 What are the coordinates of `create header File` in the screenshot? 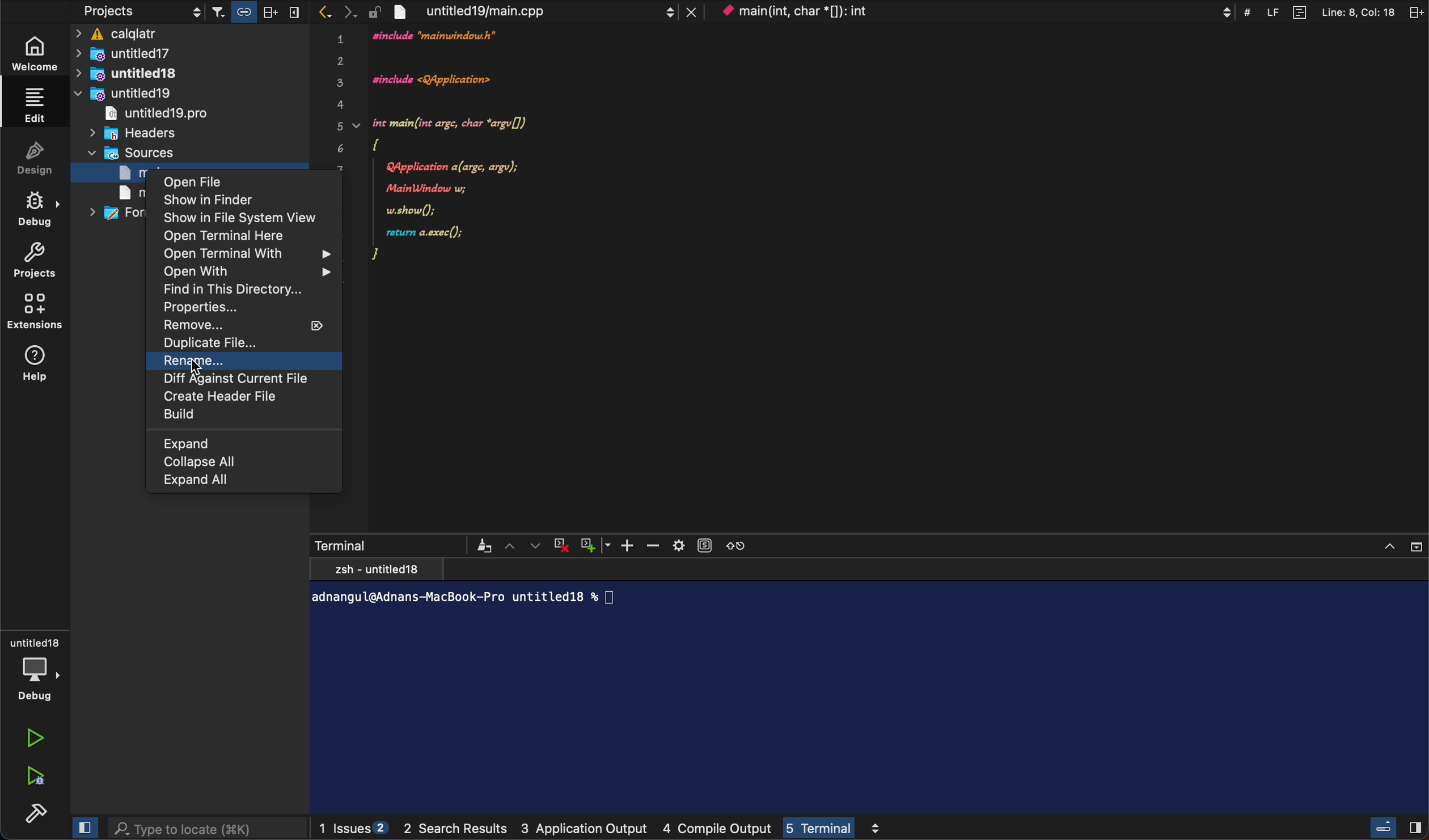 It's located at (243, 398).